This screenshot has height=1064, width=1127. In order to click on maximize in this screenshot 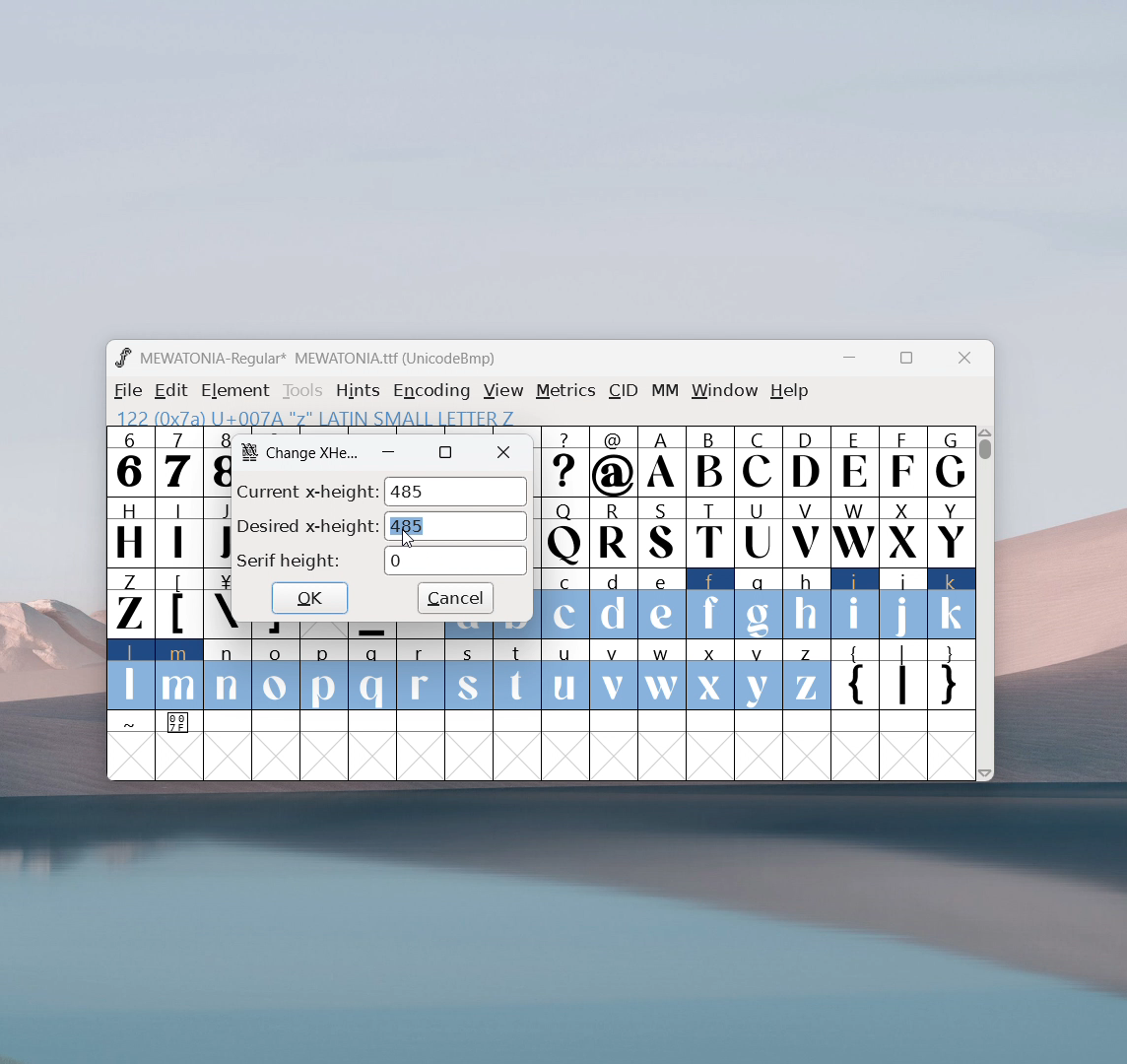, I will do `click(905, 361)`.